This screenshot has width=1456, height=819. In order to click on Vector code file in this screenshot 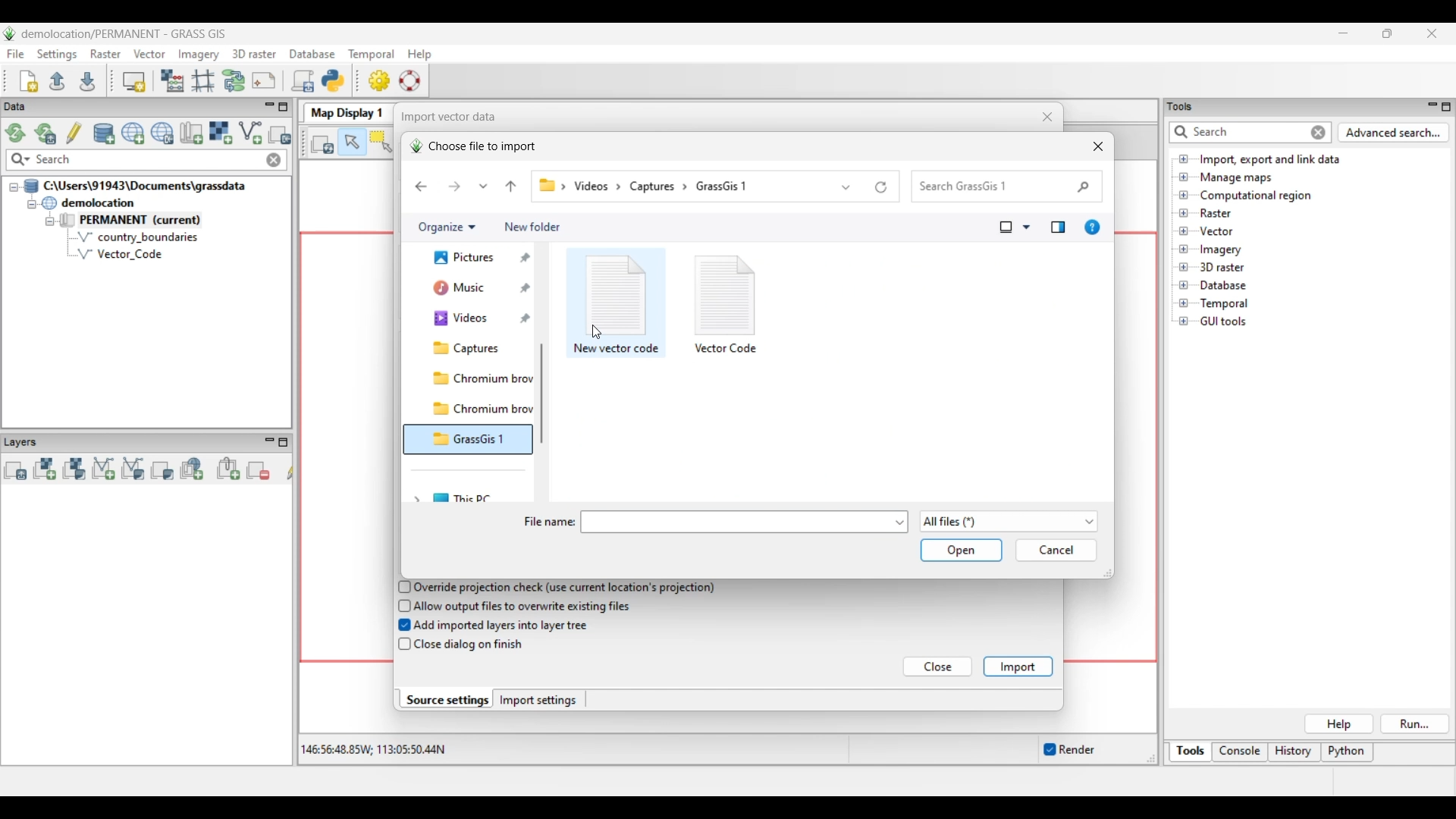, I will do `click(727, 347)`.